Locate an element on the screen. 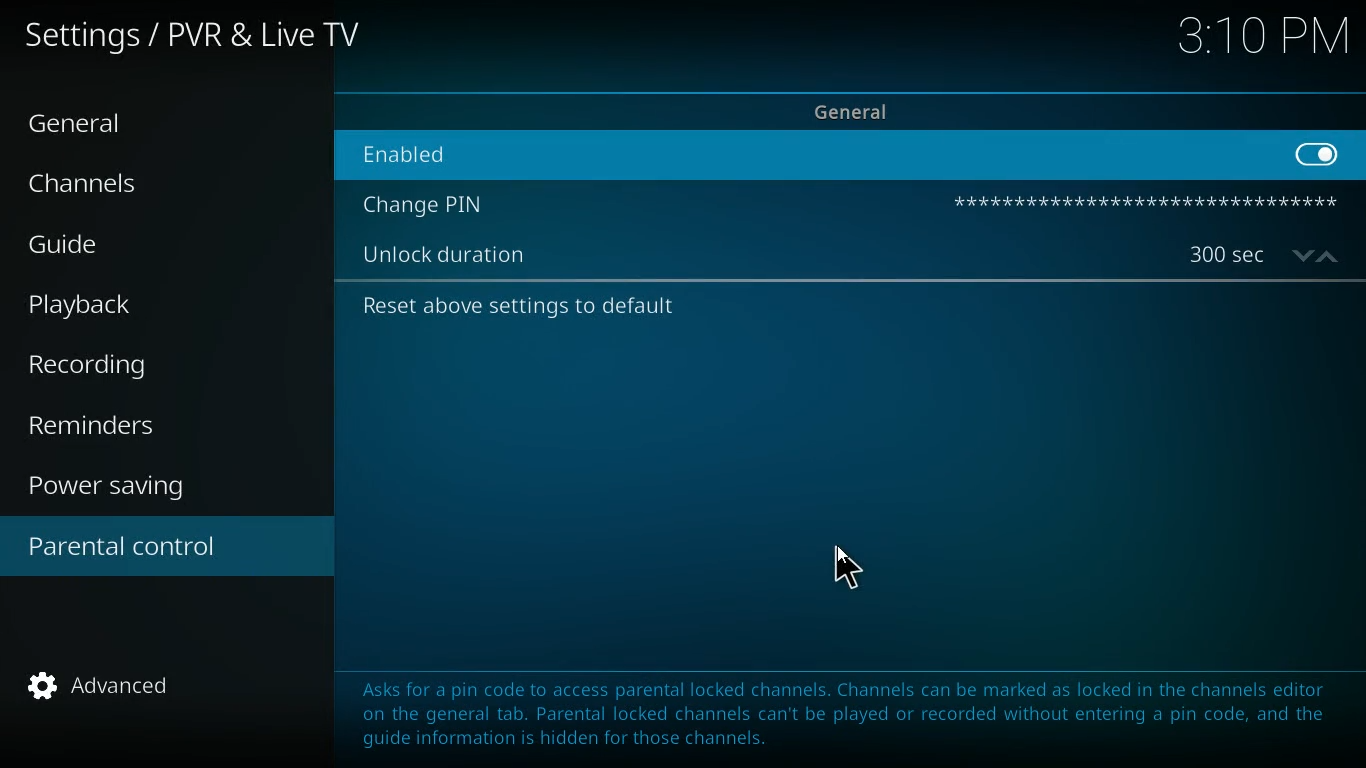  guide is located at coordinates (123, 247).